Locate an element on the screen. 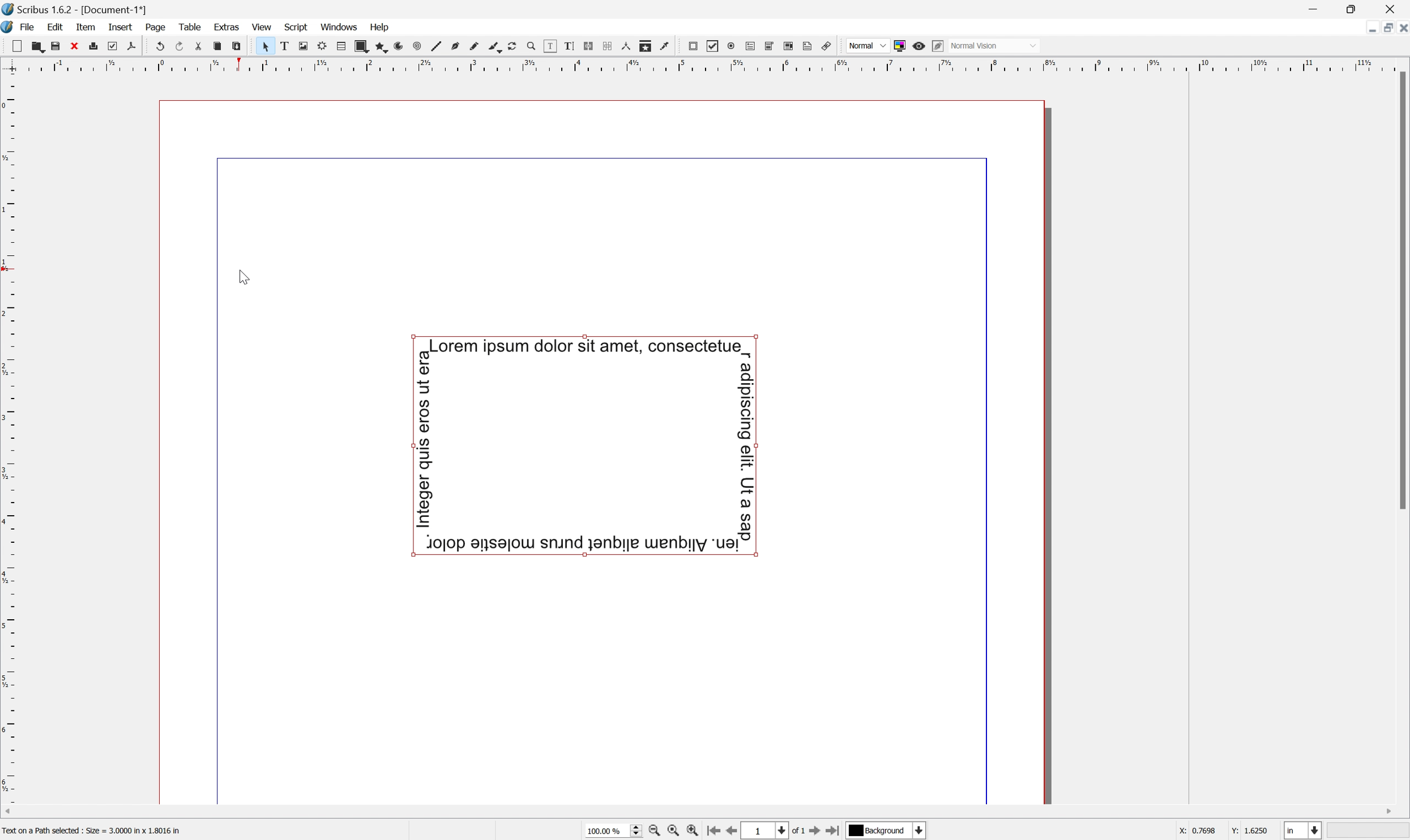 This screenshot has width=1410, height=840. PDF text field is located at coordinates (748, 46).